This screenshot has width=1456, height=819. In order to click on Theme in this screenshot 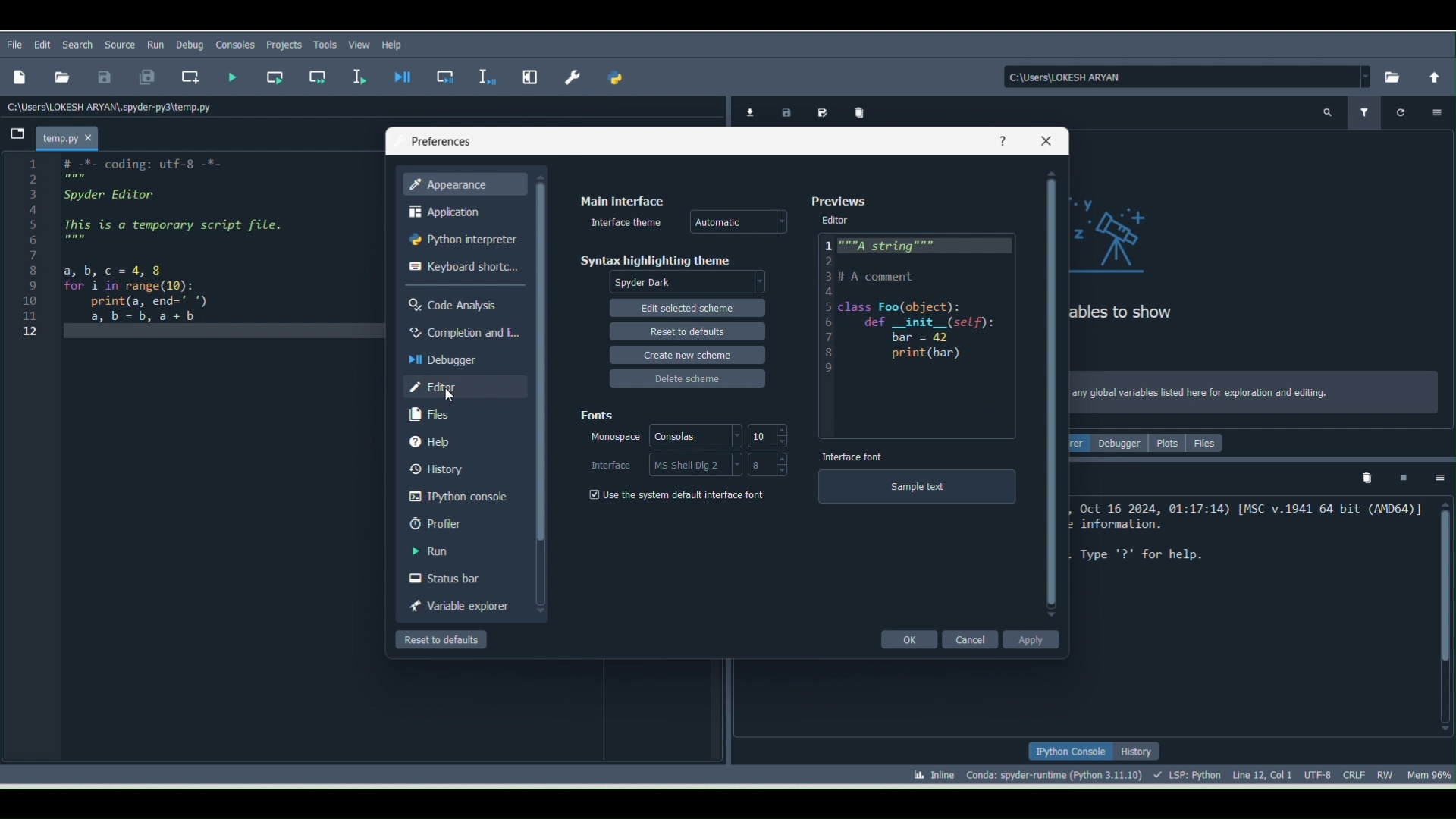, I will do `click(741, 223)`.